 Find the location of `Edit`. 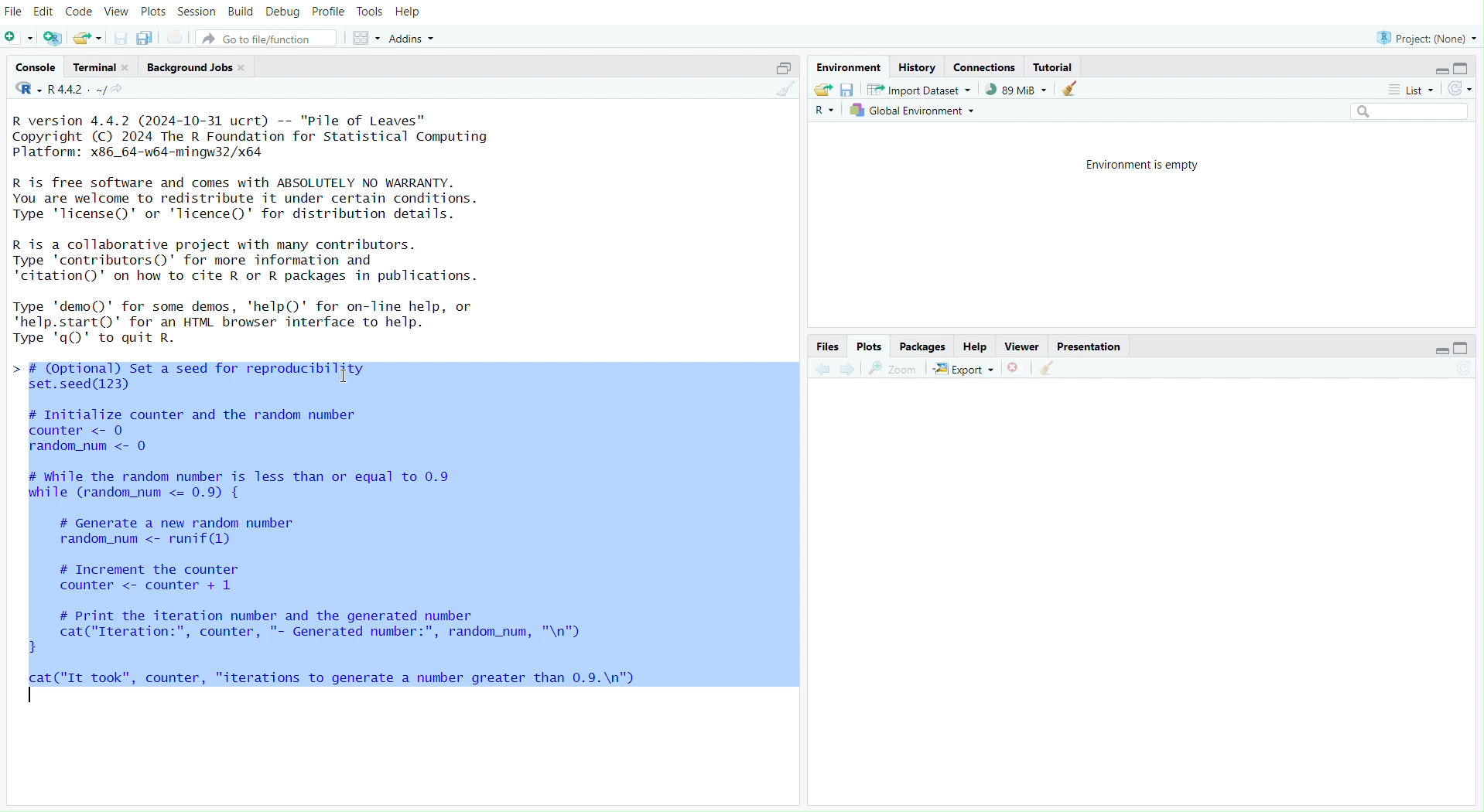

Edit is located at coordinates (45, 12).